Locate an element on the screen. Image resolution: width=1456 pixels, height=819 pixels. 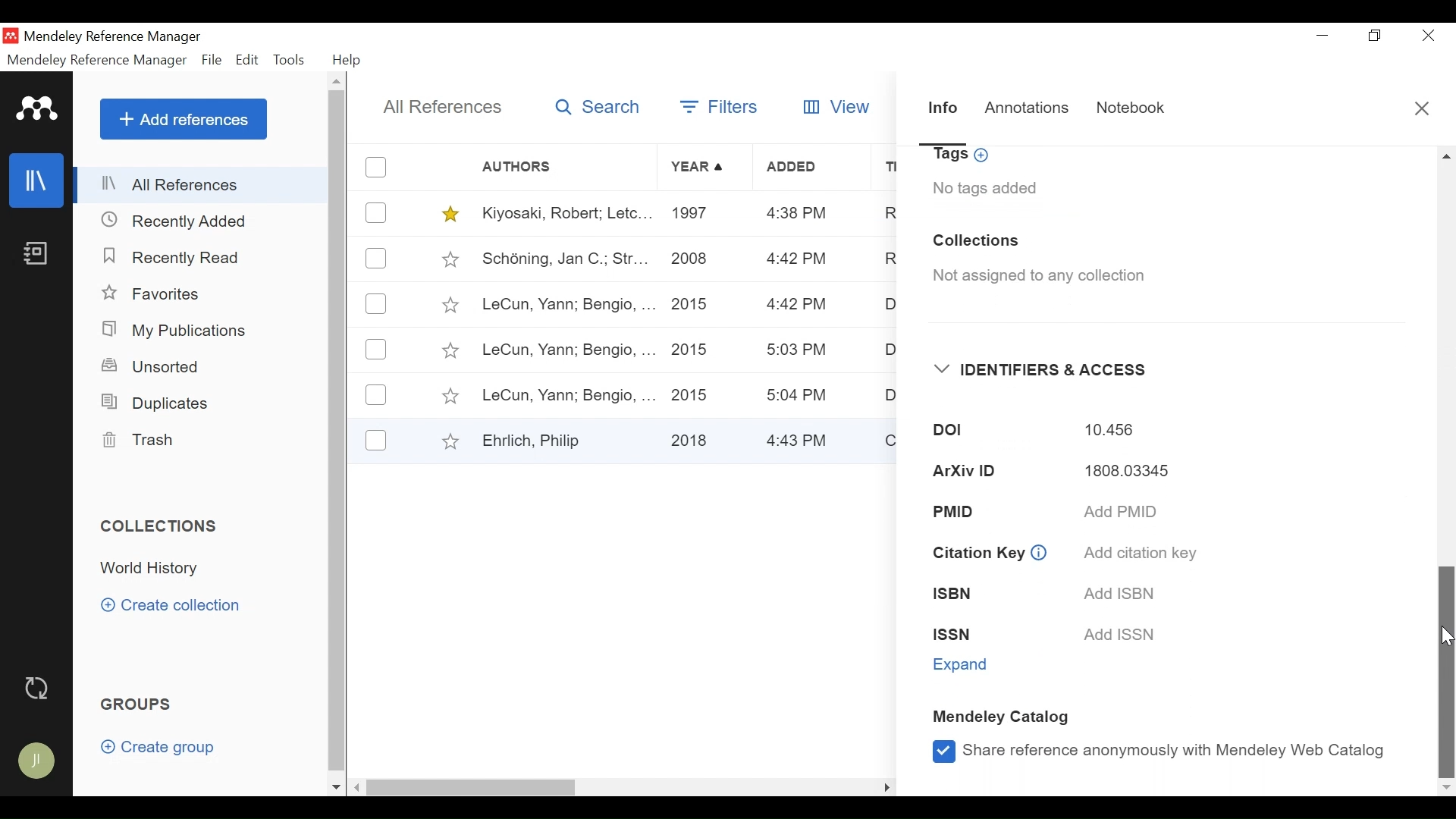
Add ISBN is located at coordinates (1116, 593).